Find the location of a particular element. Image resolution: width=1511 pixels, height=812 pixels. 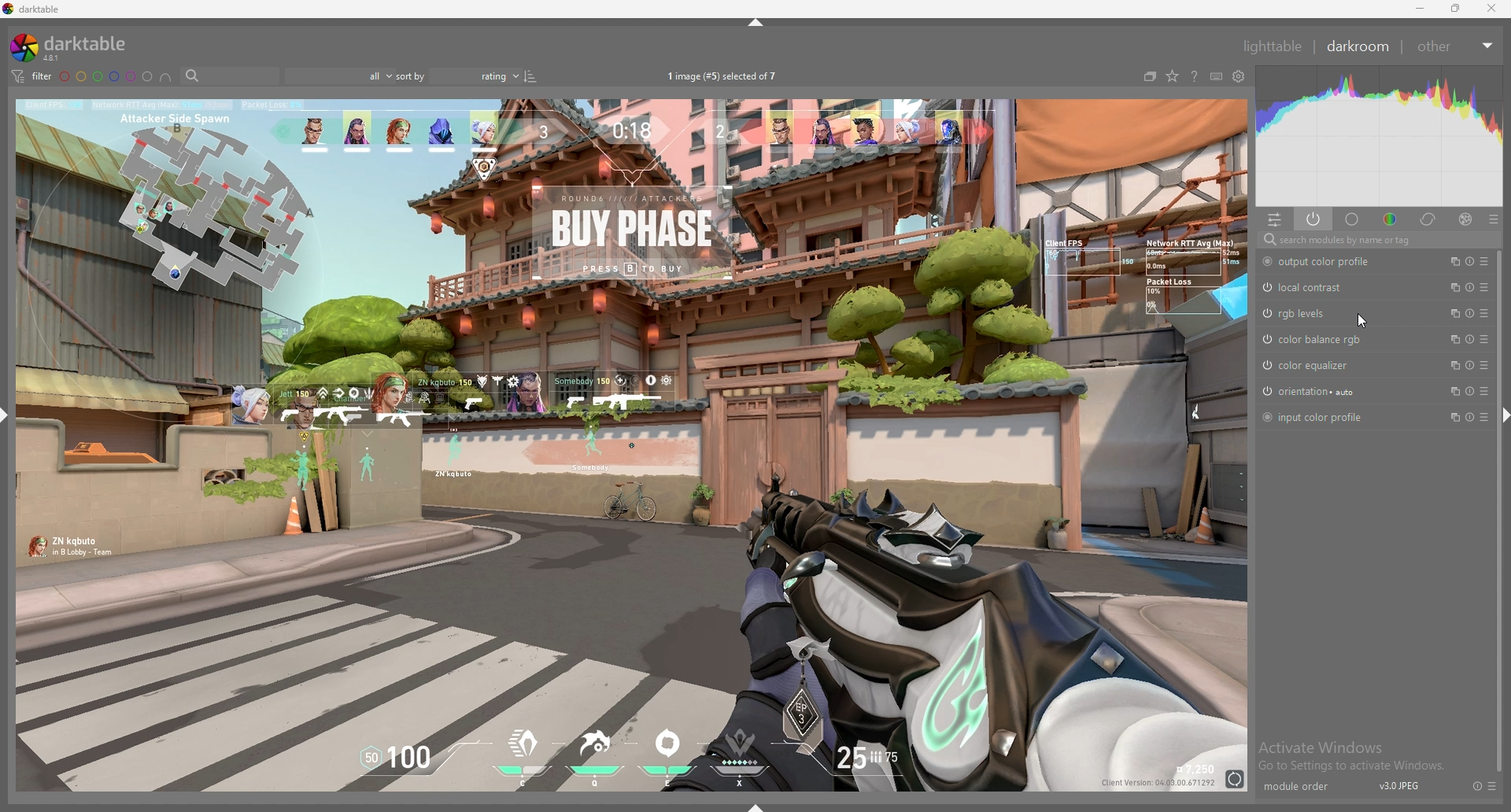

show is located at coordinates (754, 806).